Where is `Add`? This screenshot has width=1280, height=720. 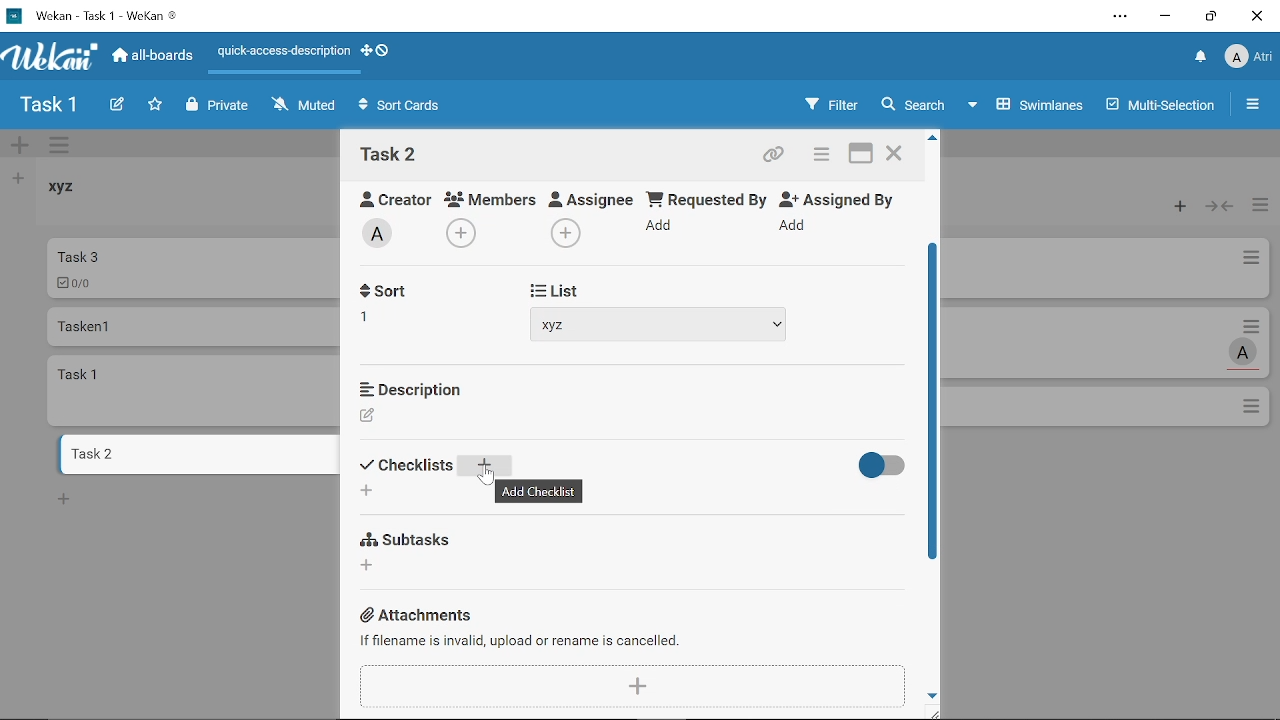
Add is located at coordinates (563, 233).